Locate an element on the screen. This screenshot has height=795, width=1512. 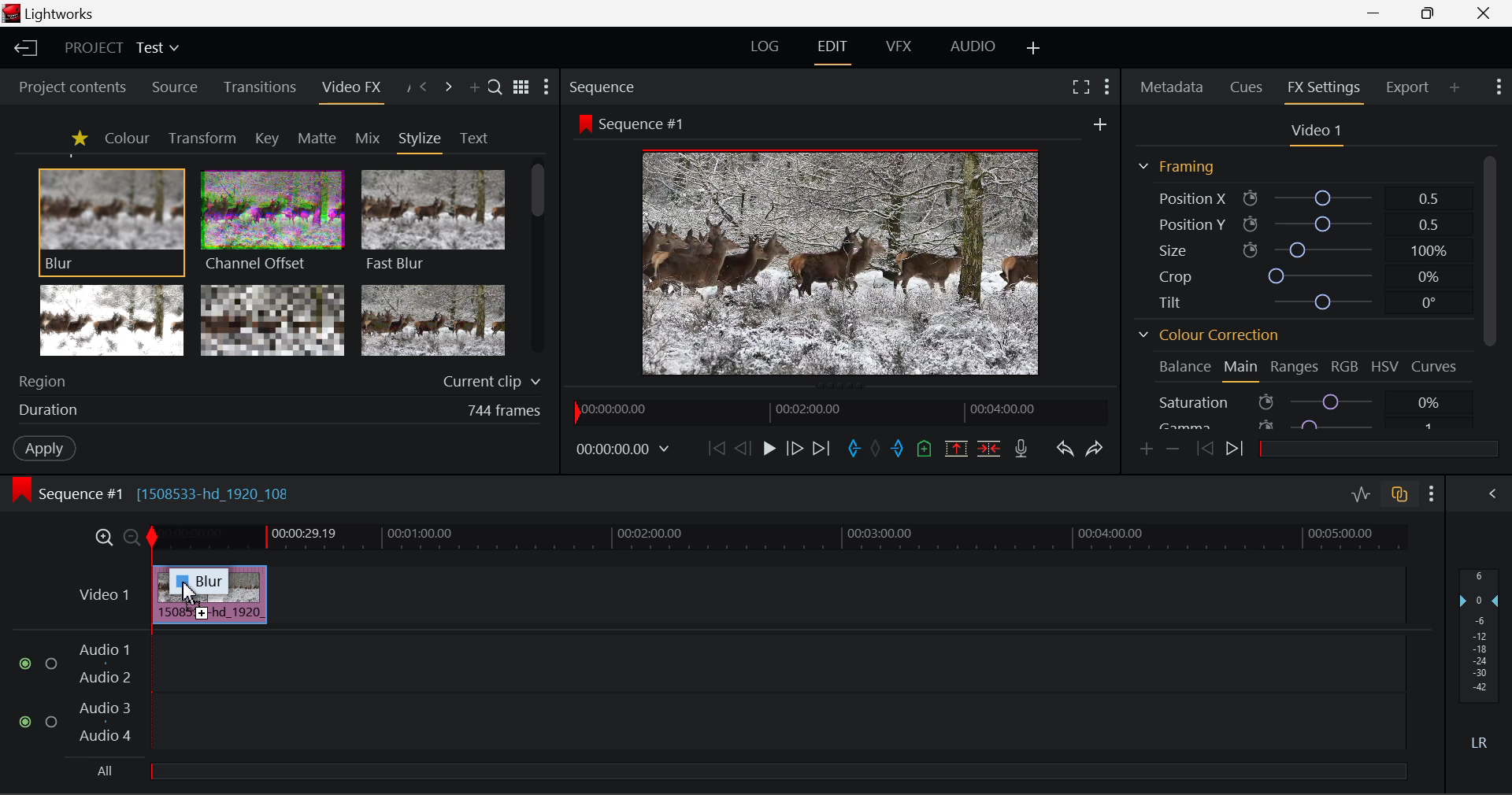
Sequence #1 Edit Timeline is located at coordinates (157, 492).